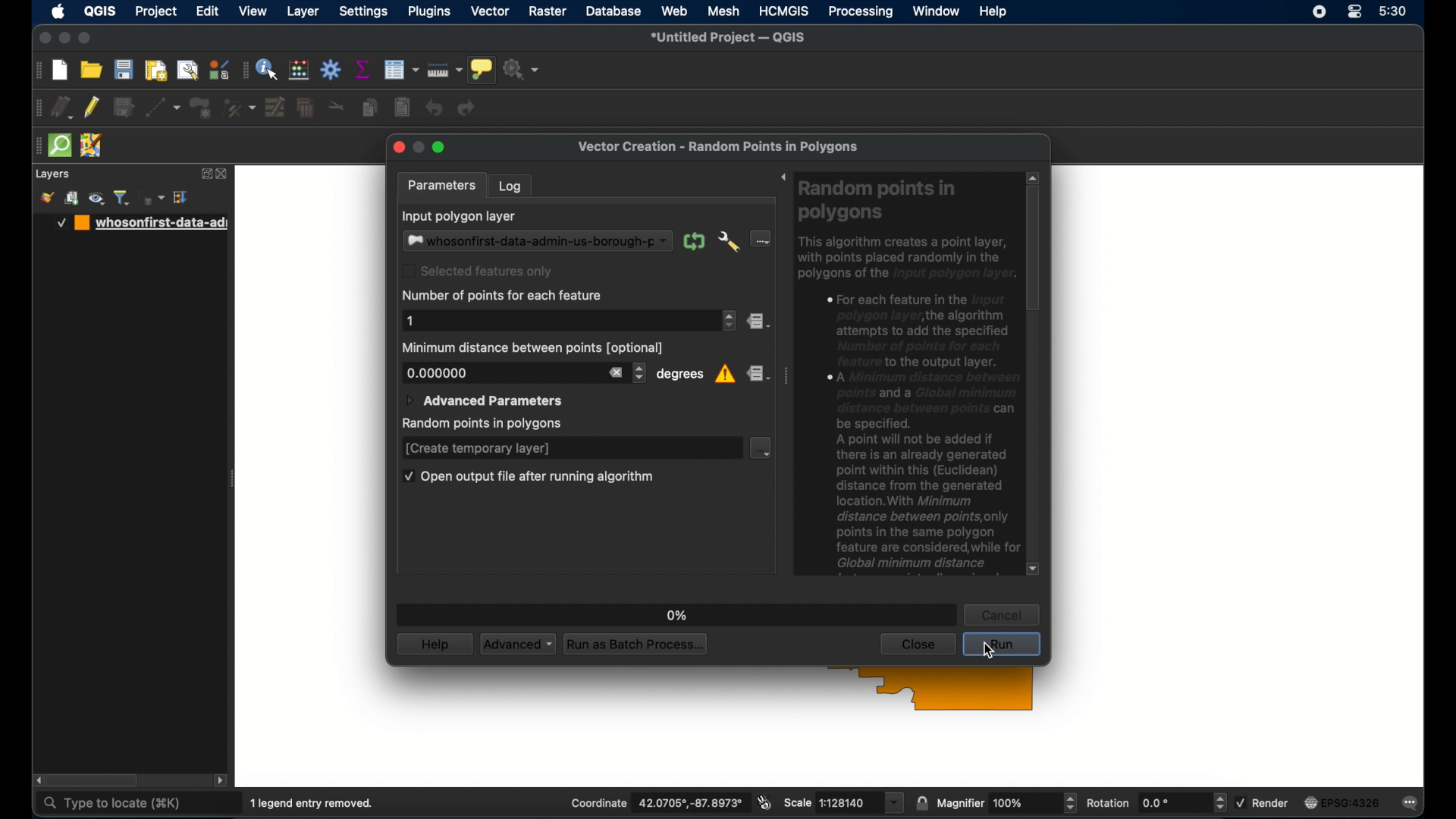  I want to click on raster, so click(547, 11).